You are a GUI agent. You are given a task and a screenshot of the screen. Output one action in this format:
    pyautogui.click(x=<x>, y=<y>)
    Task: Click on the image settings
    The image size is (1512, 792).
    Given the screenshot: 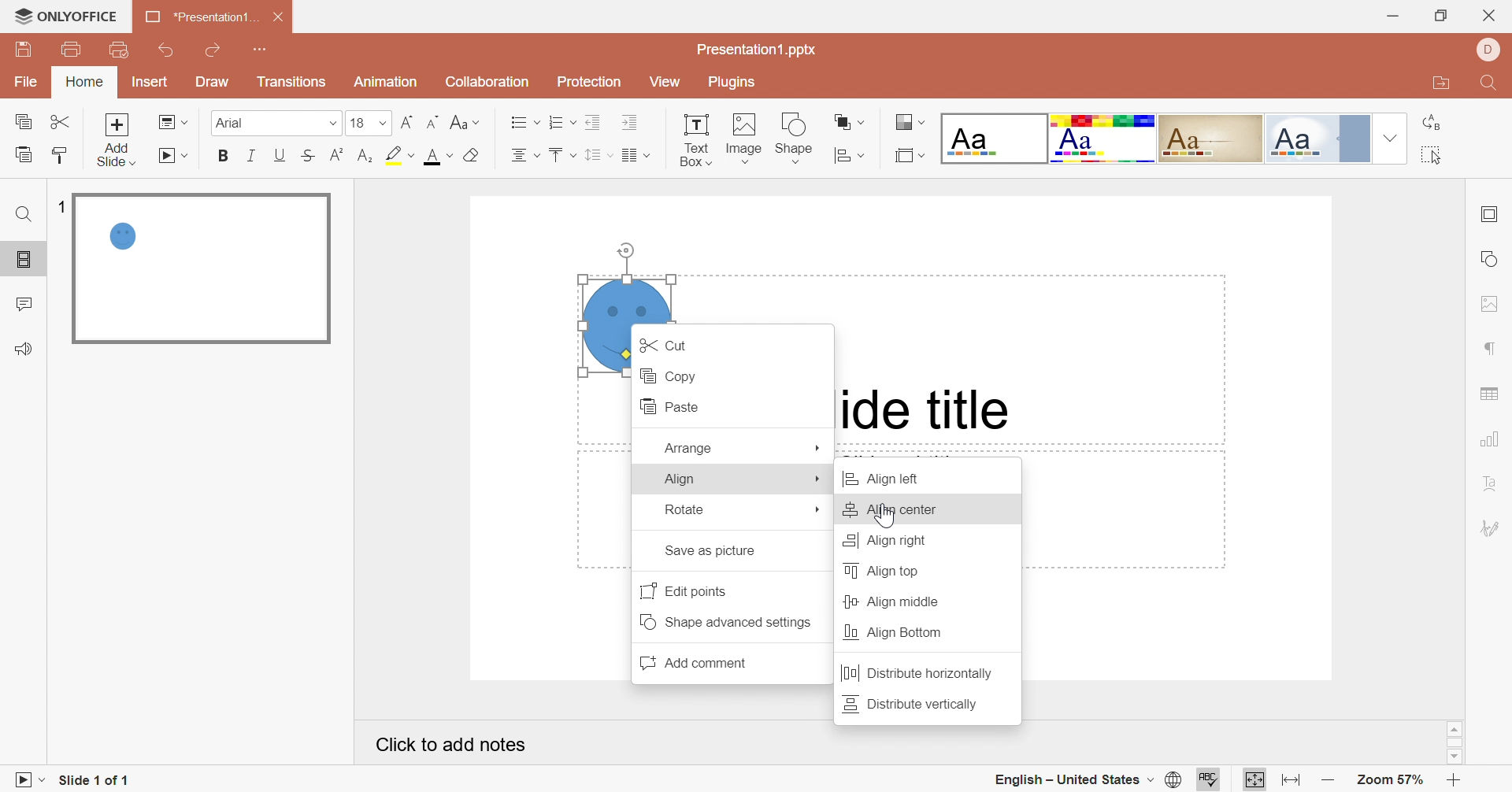 What is the action you would take?
    pyautogui.click(x=1488, y=303)
    